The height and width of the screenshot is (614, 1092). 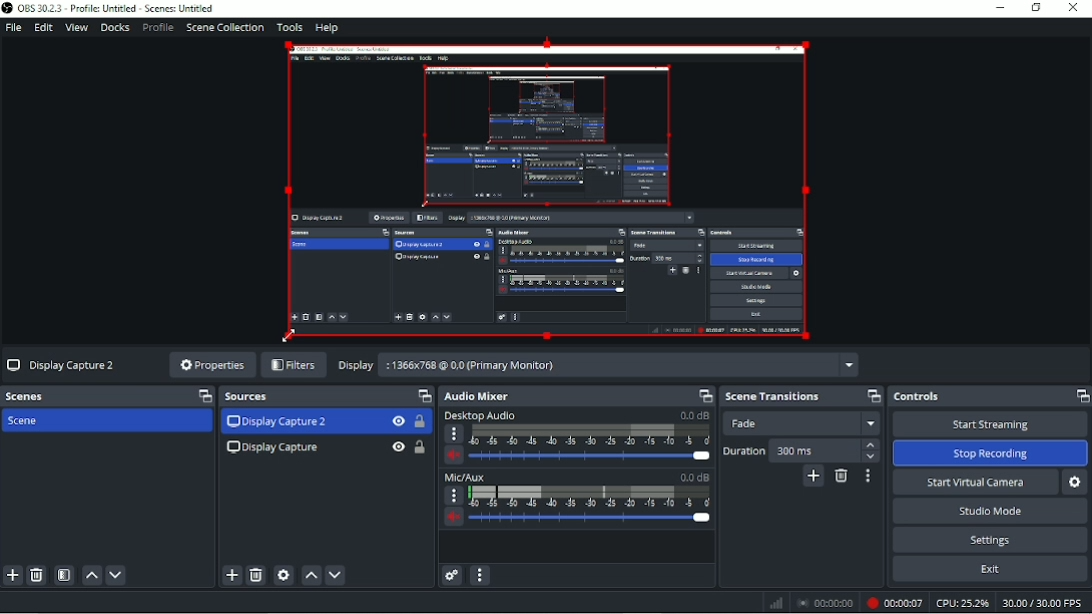 What do you see at coordinates (825, 603) in the screenshot?
I see `00:00:00` at bounding box center [825, 603].